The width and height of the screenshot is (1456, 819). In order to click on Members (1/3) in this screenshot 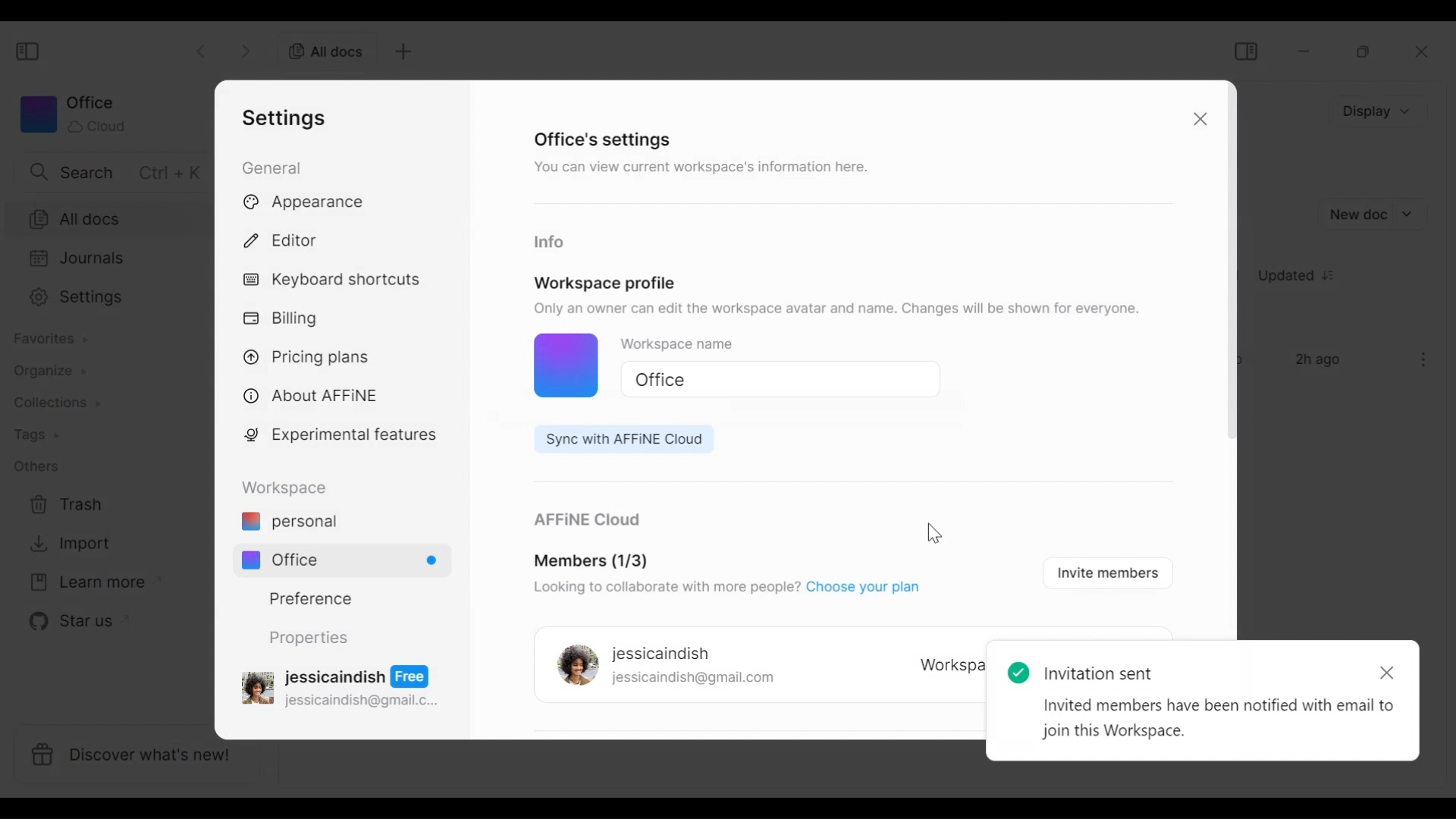, I will do `click(591, 562)`.